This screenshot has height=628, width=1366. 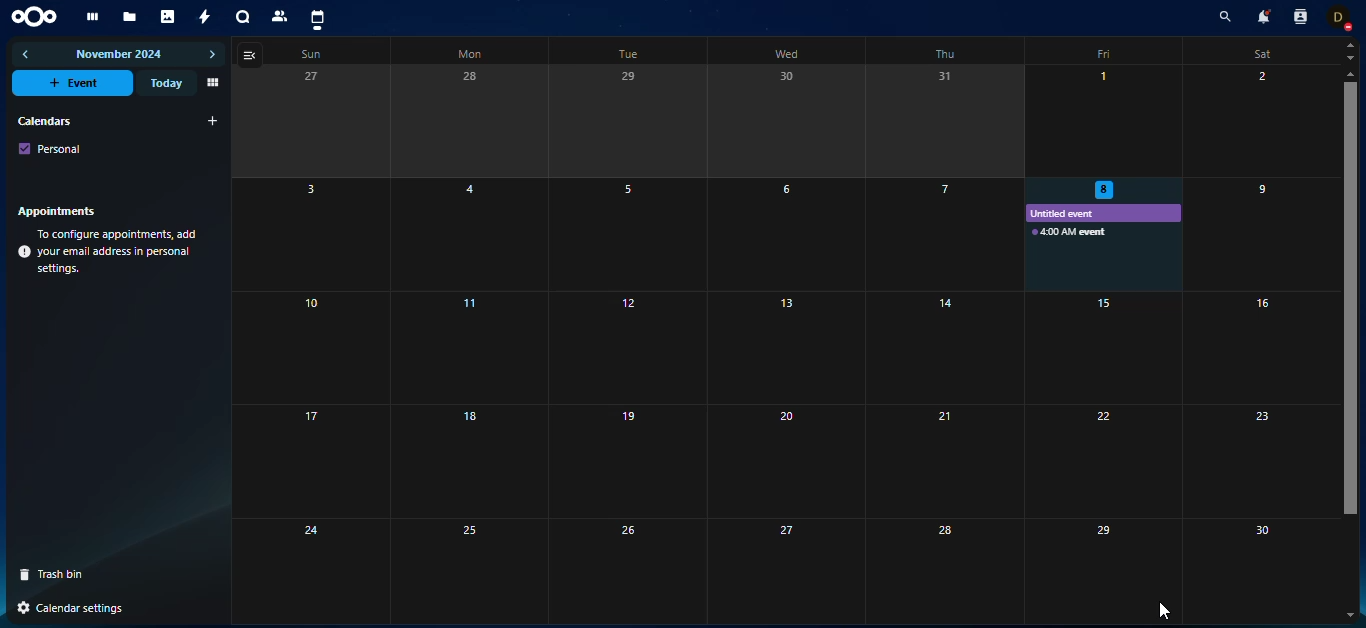 What do you see at coordinates (787, 234) in the screenshot?
I see `6` at bounding box center [787, 234].